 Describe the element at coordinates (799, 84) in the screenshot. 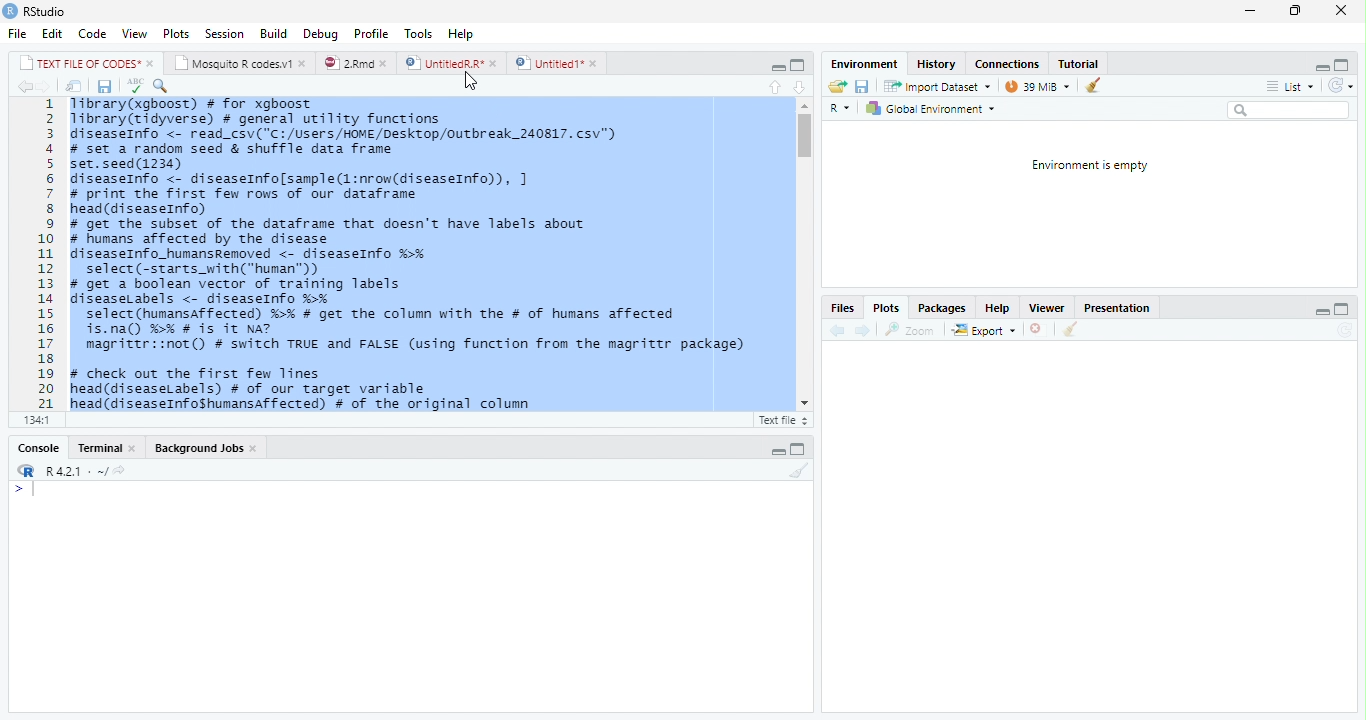

I see `Down` at that location.